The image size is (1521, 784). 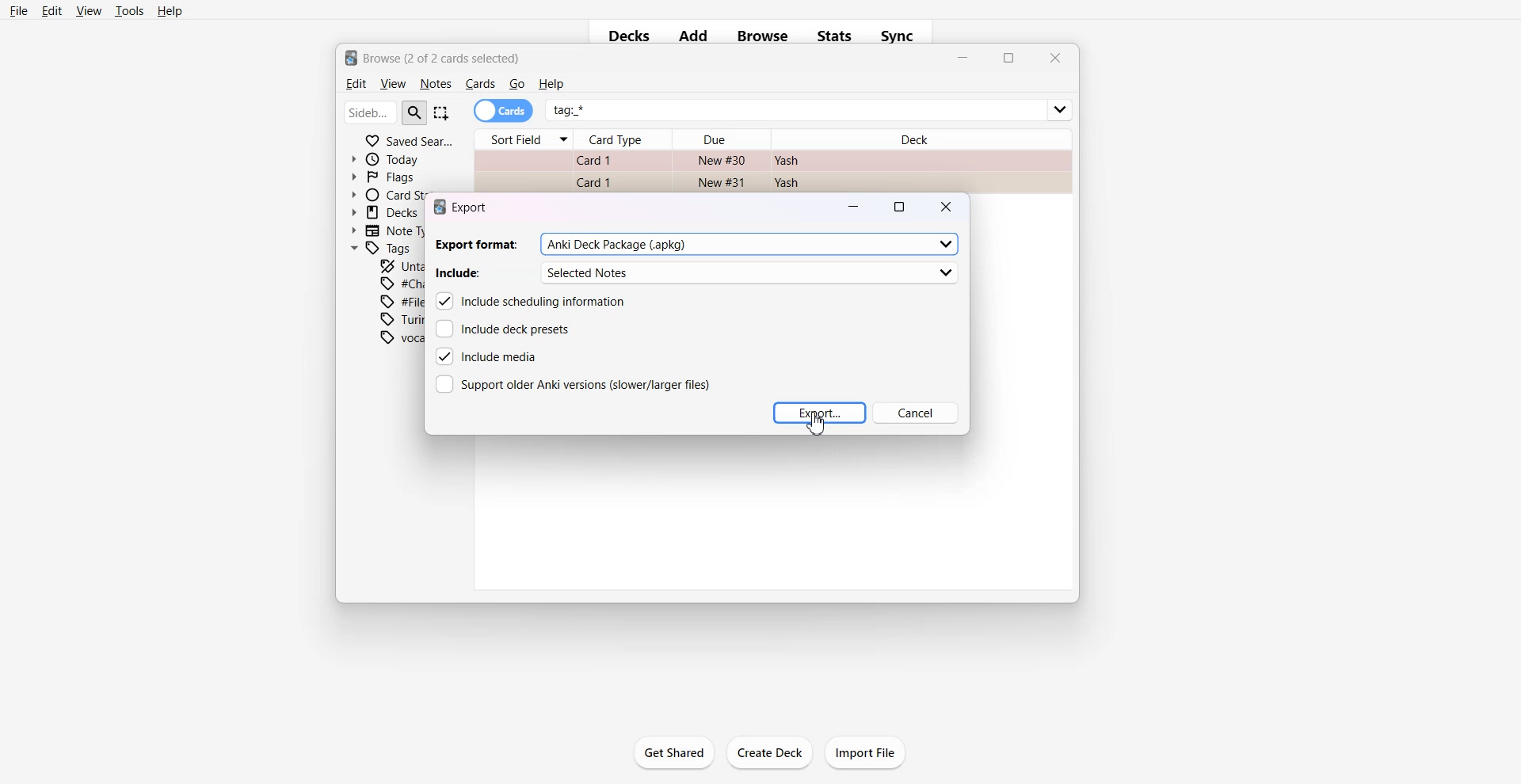 I want to click on Text, so click(x=465, y=207).